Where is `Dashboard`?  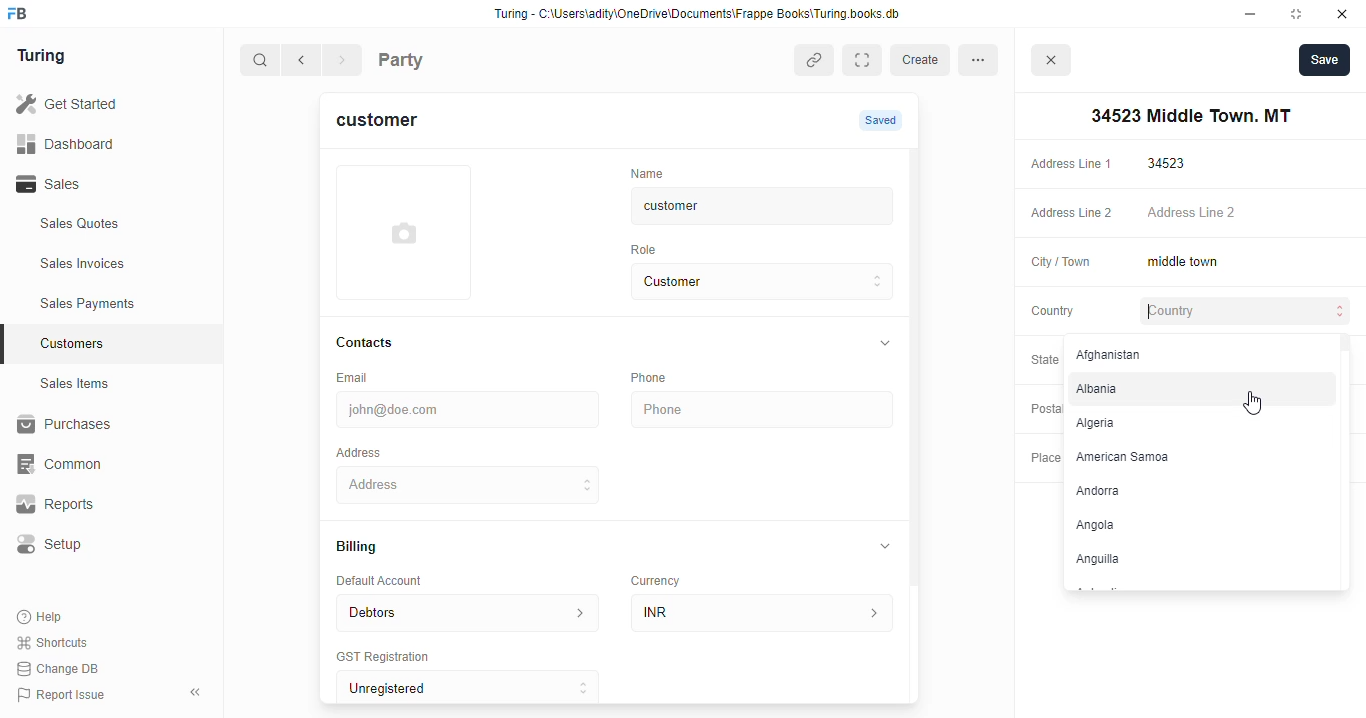
Dashboard is located at coordinates (95, 143).